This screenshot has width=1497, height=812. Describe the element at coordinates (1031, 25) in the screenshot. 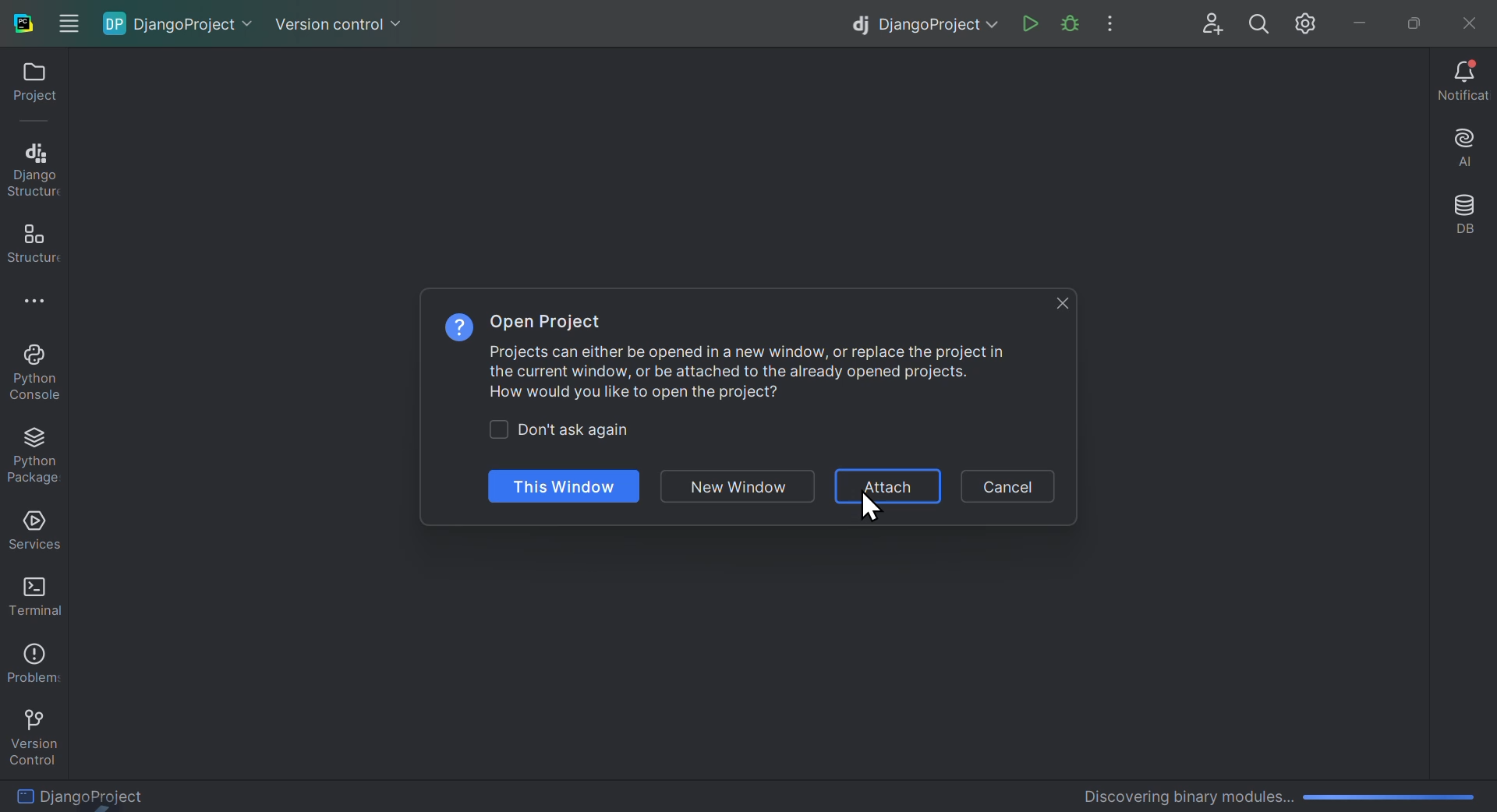

I see `Run file` at that location.